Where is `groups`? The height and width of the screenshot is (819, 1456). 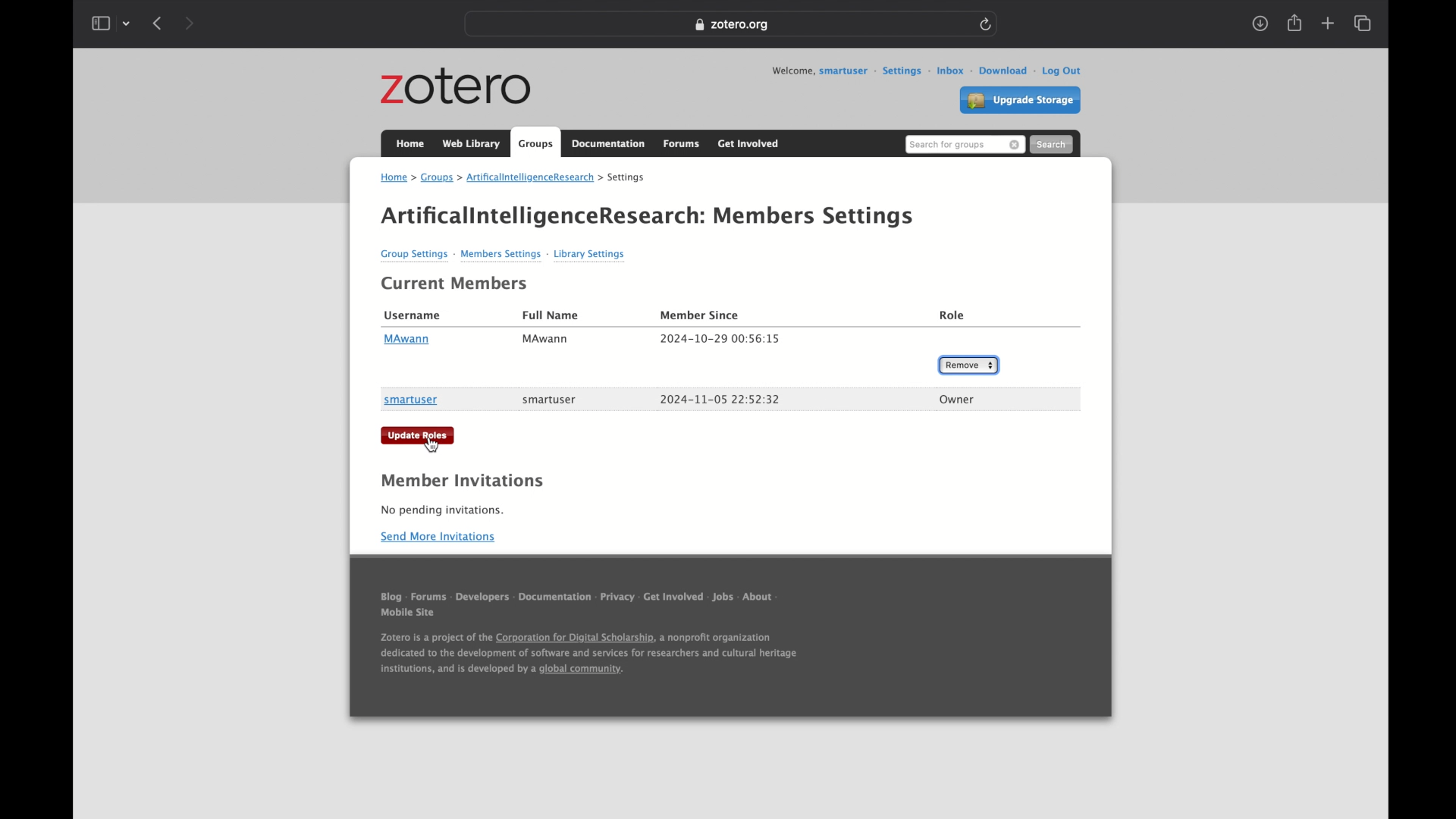
groups is located at coordinates (536, 142).